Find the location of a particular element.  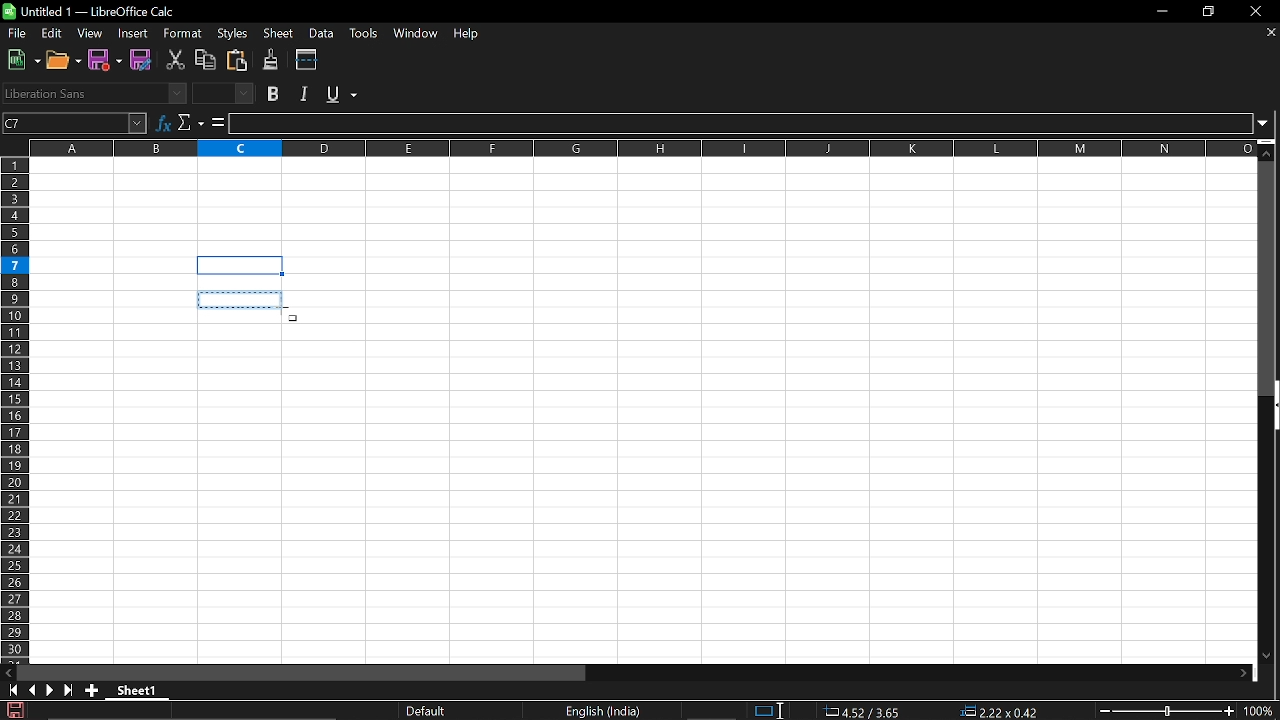

Format is located at coordinates (179, 34).